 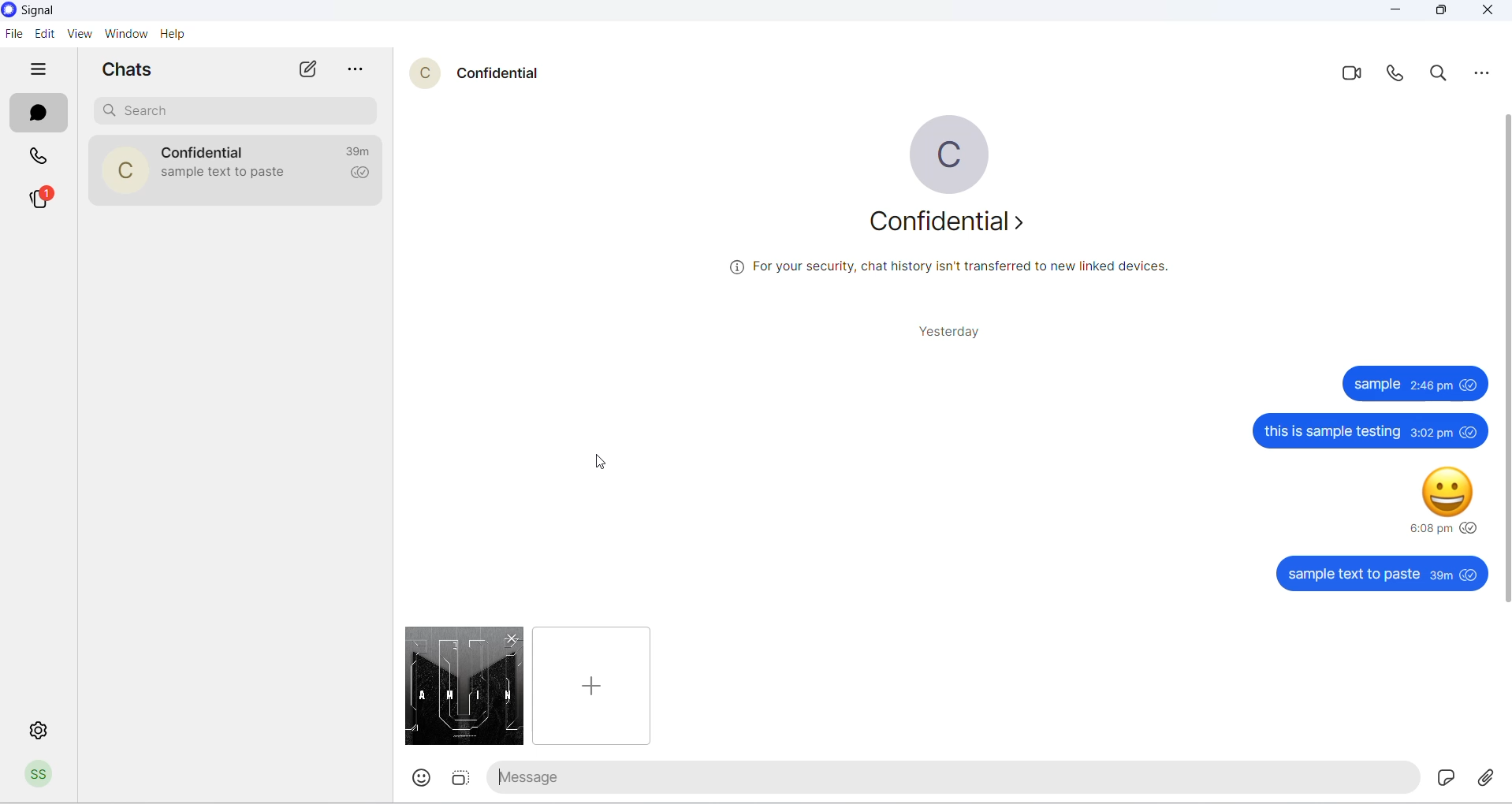 I want to click on chats heading, so click(x=131, y=68).